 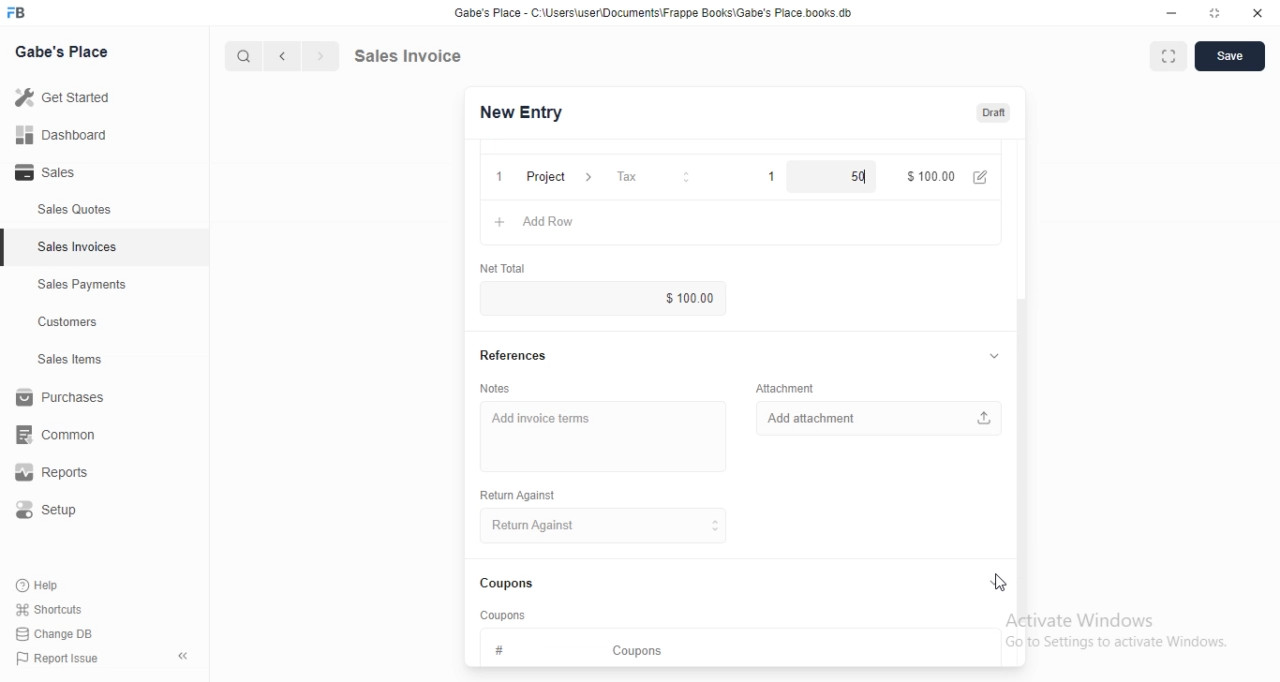 I want to click on Coupons., so click(x=508, y=584).